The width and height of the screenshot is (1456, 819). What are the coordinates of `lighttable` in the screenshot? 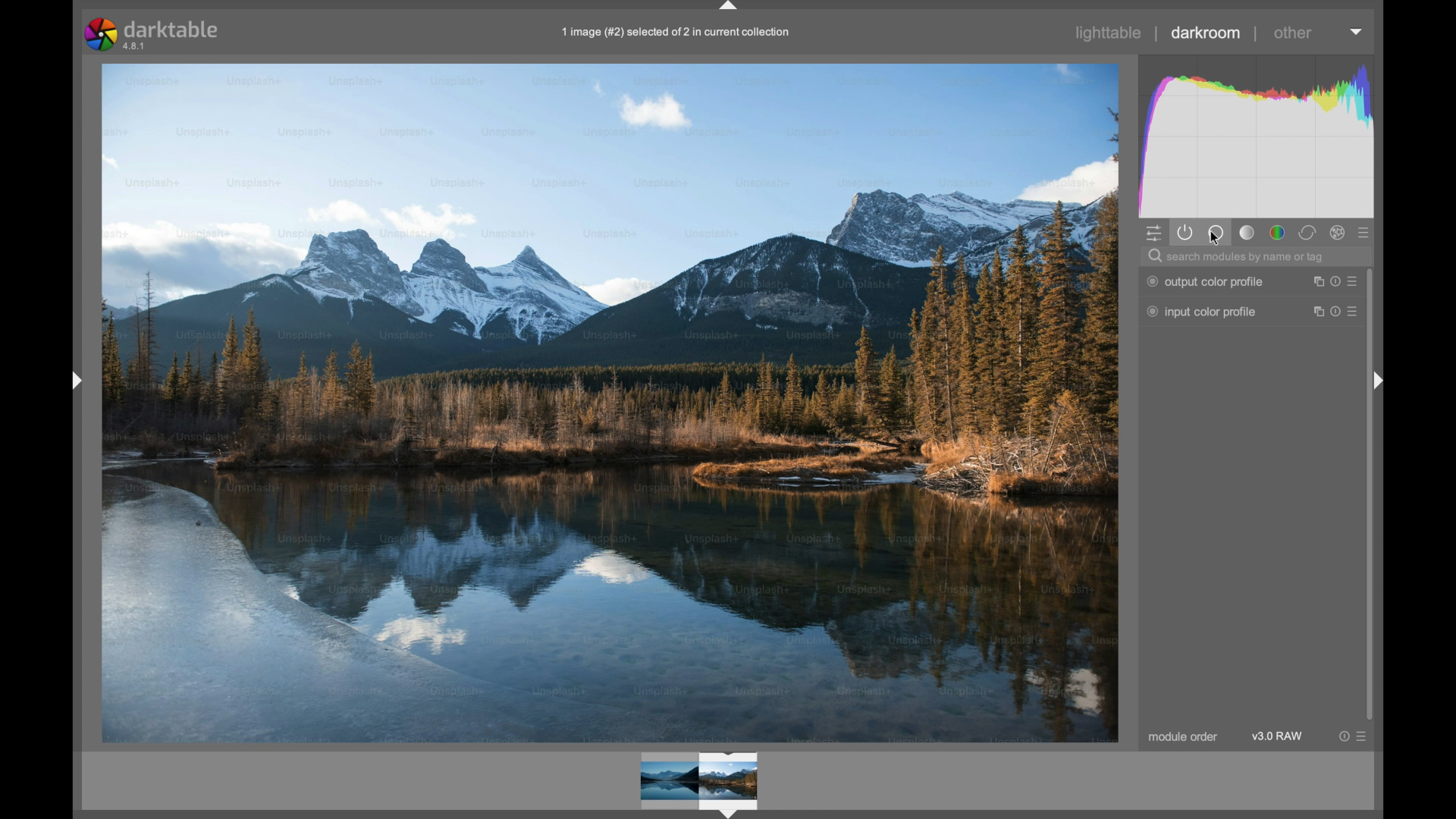 It's located at (1109, 33).